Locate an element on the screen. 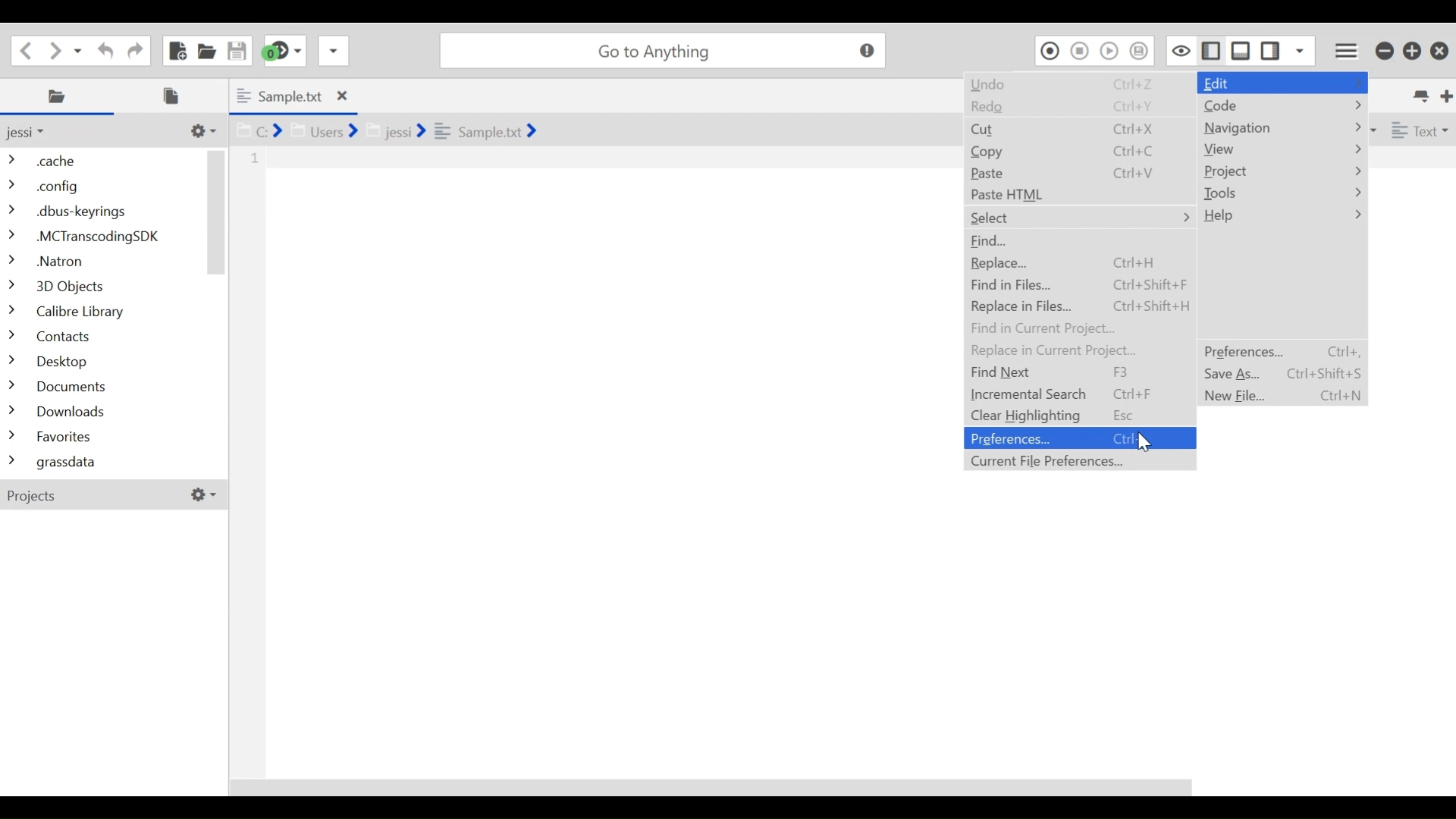 The image size is (1456, 819). Project is located at coordinates (1282, 171).